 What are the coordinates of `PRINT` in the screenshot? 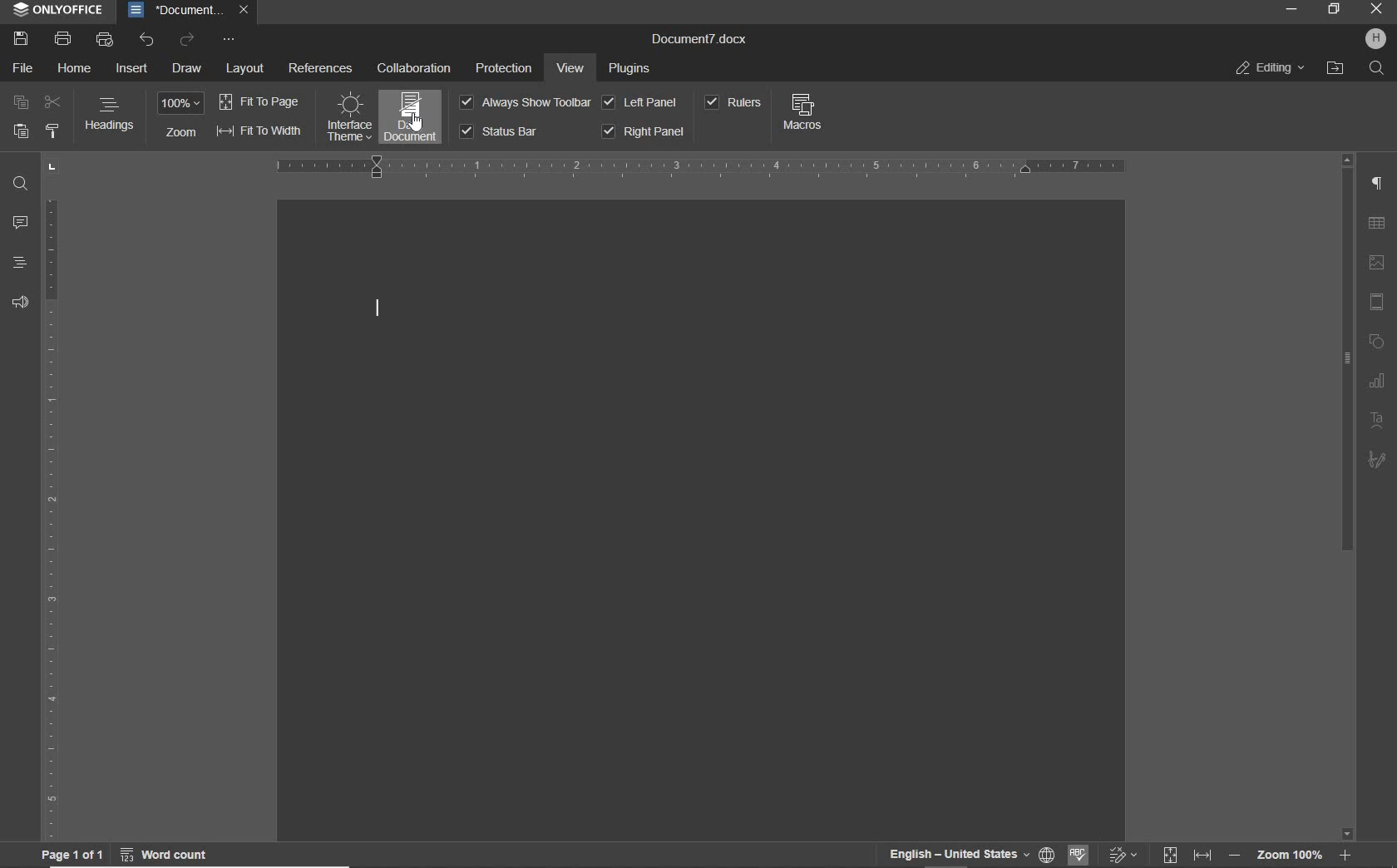 It's located at (62, 37).